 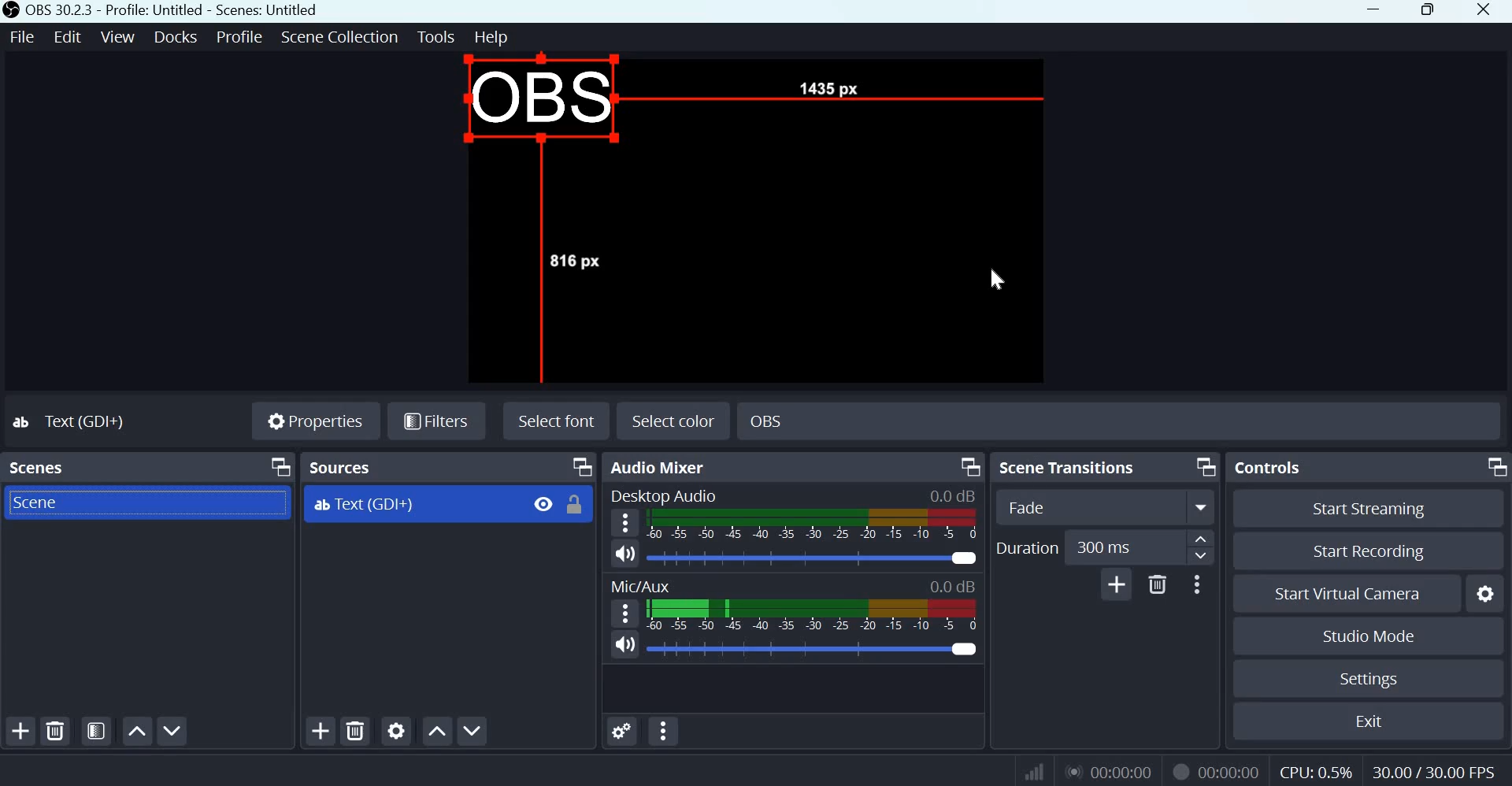 I want to click on Audio mixer menu, so click(x=663, y=731).